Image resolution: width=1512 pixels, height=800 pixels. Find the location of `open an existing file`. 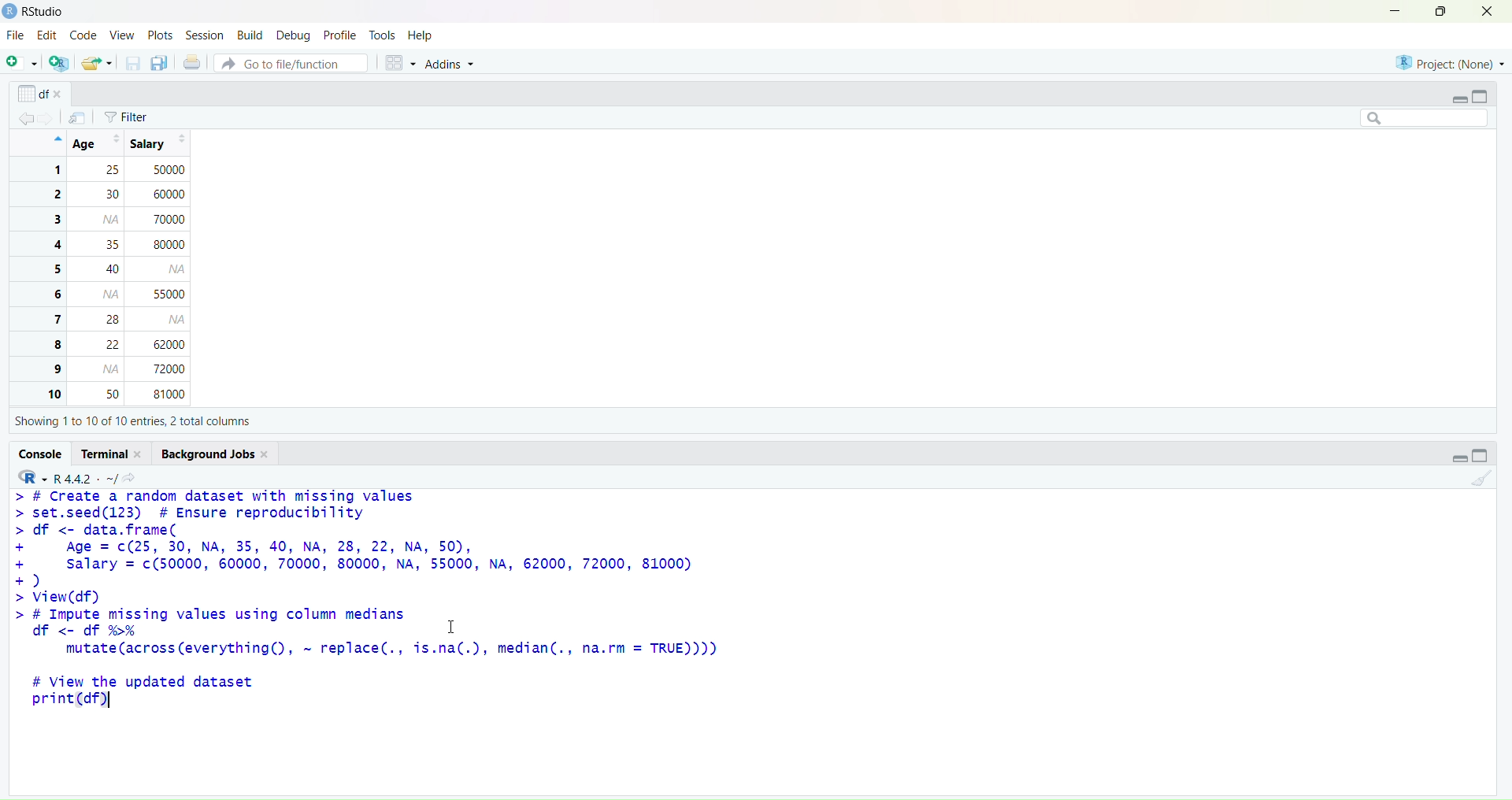

open an existing file is located at coordinates (96, 64).